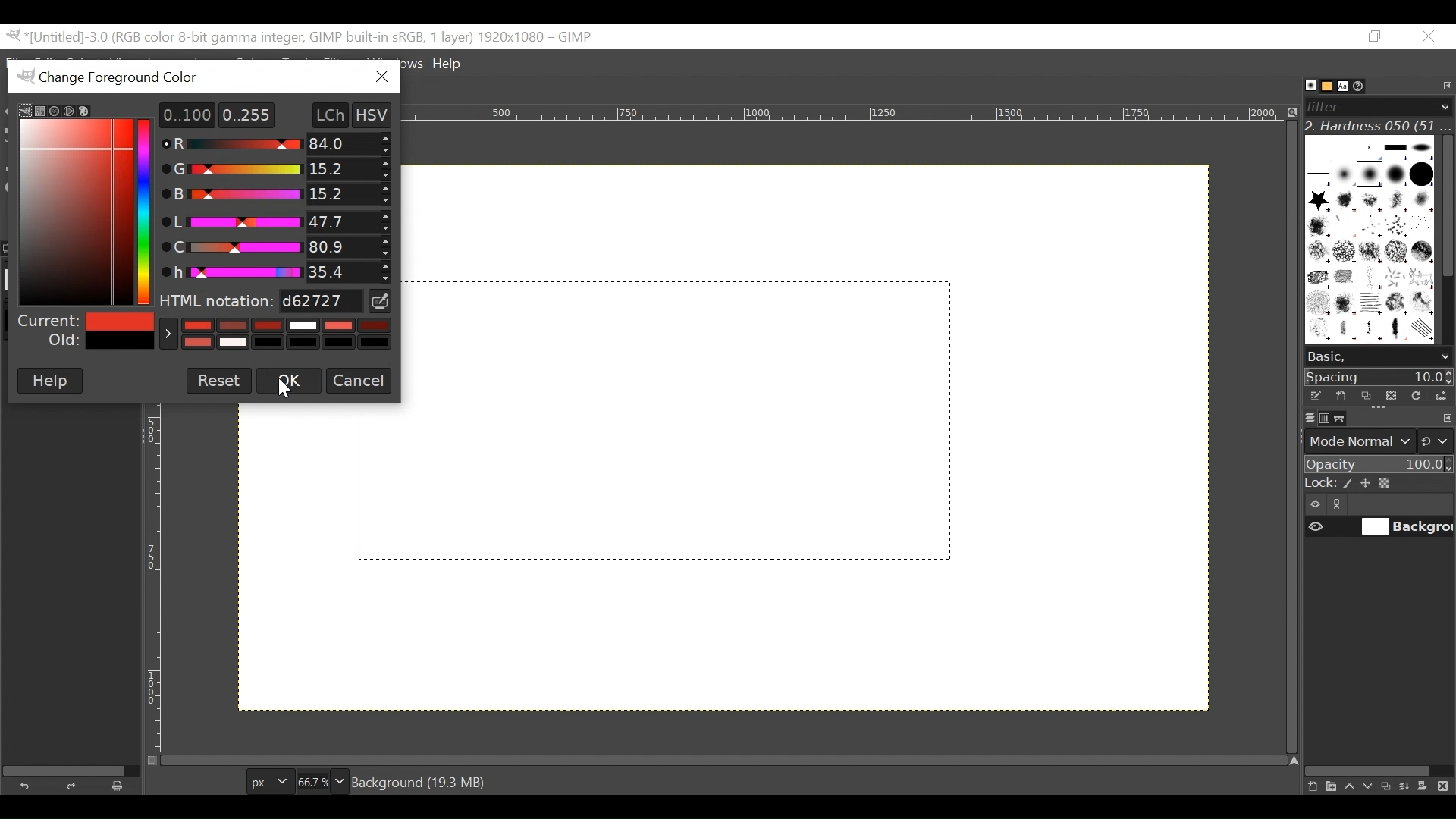 Image resolution: width=1456 pixels, height=819 pixels. What do you see at coordinates (274, 221) in the screenshot?
I see `Lightness` at bounding box center [274, 221].